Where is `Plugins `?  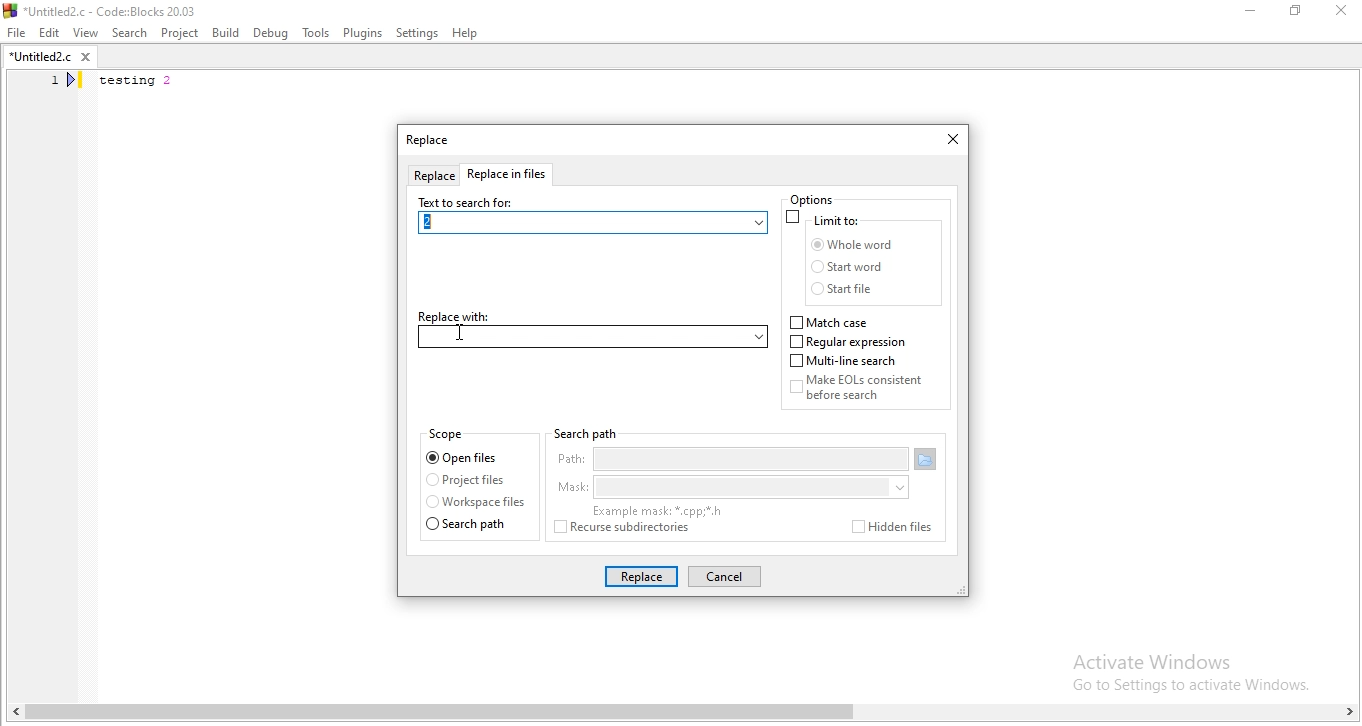 Plugins  is located at coordinates (361, 34).